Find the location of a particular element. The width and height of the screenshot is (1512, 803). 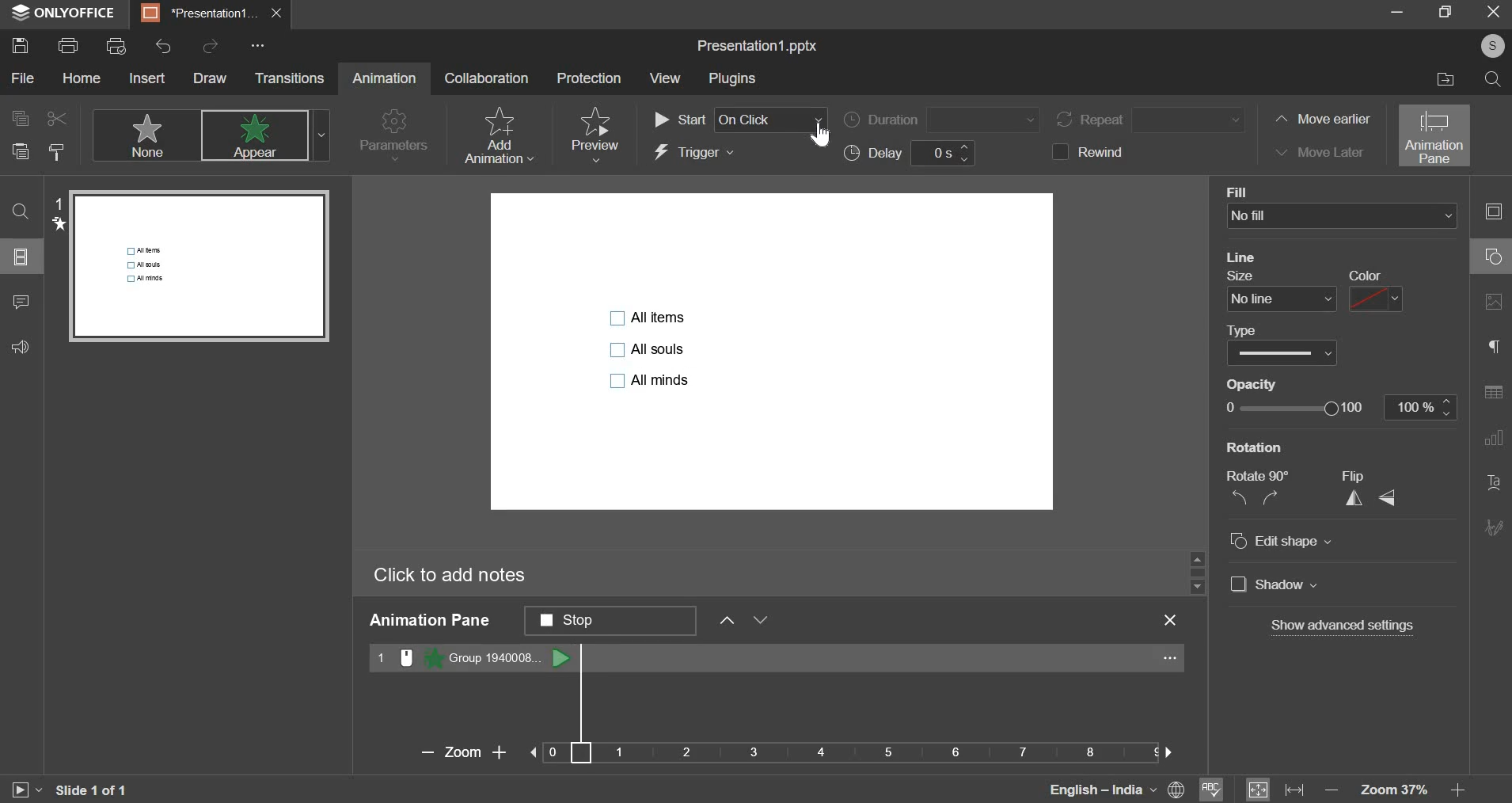

copy style is located at coordinates (59, 151).